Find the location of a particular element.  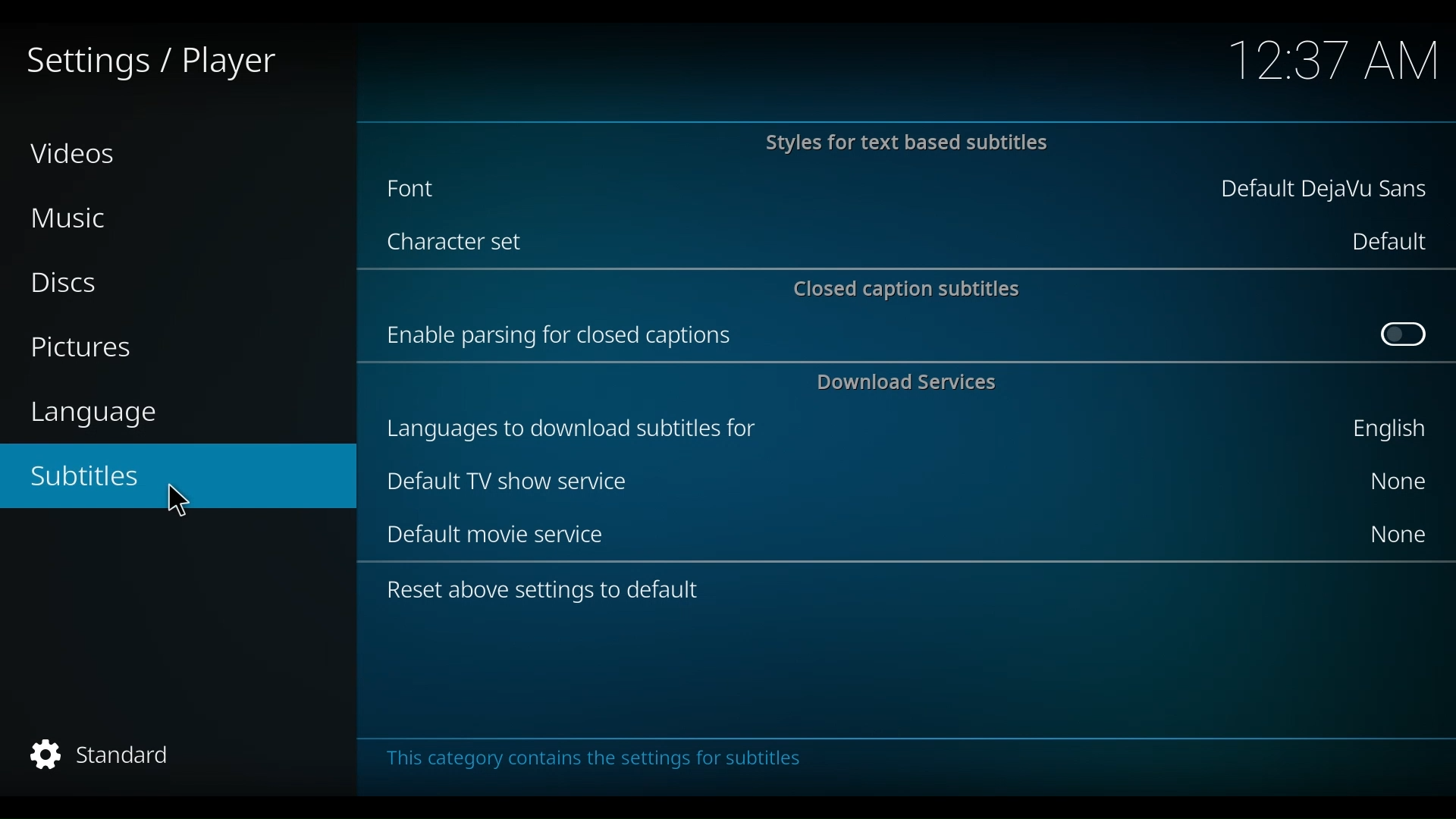

time is located at coordinates (1335, 62).